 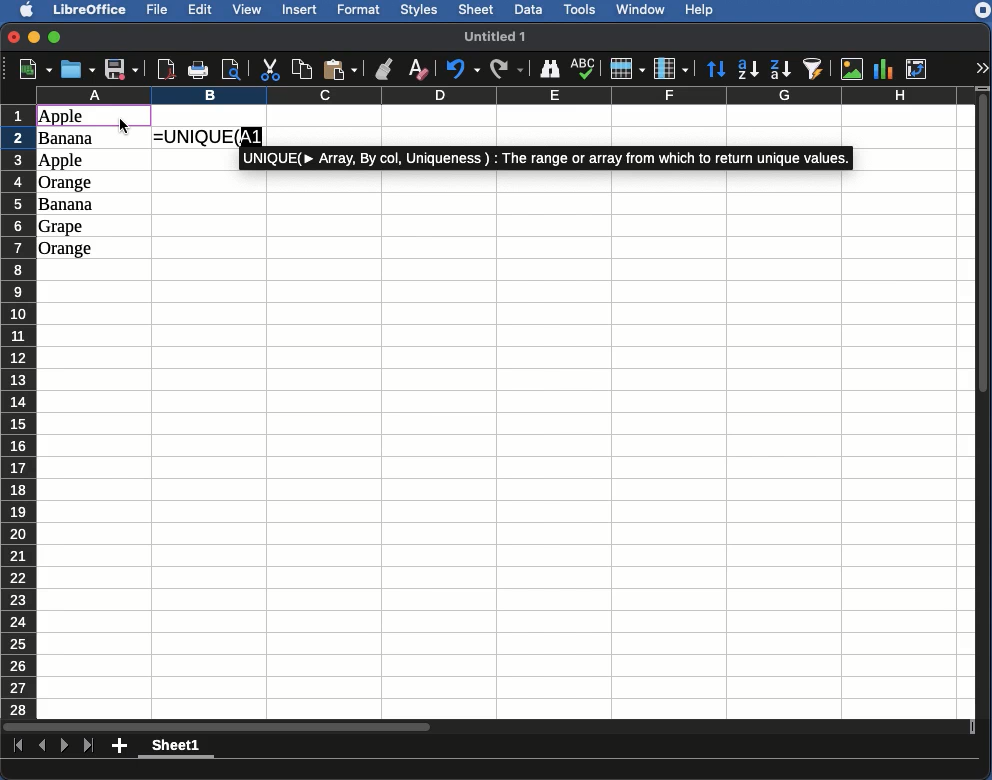 What do you see at coordinates (361, 10) in the screenshot?
I see `Format` at bounding box center [361, 10].